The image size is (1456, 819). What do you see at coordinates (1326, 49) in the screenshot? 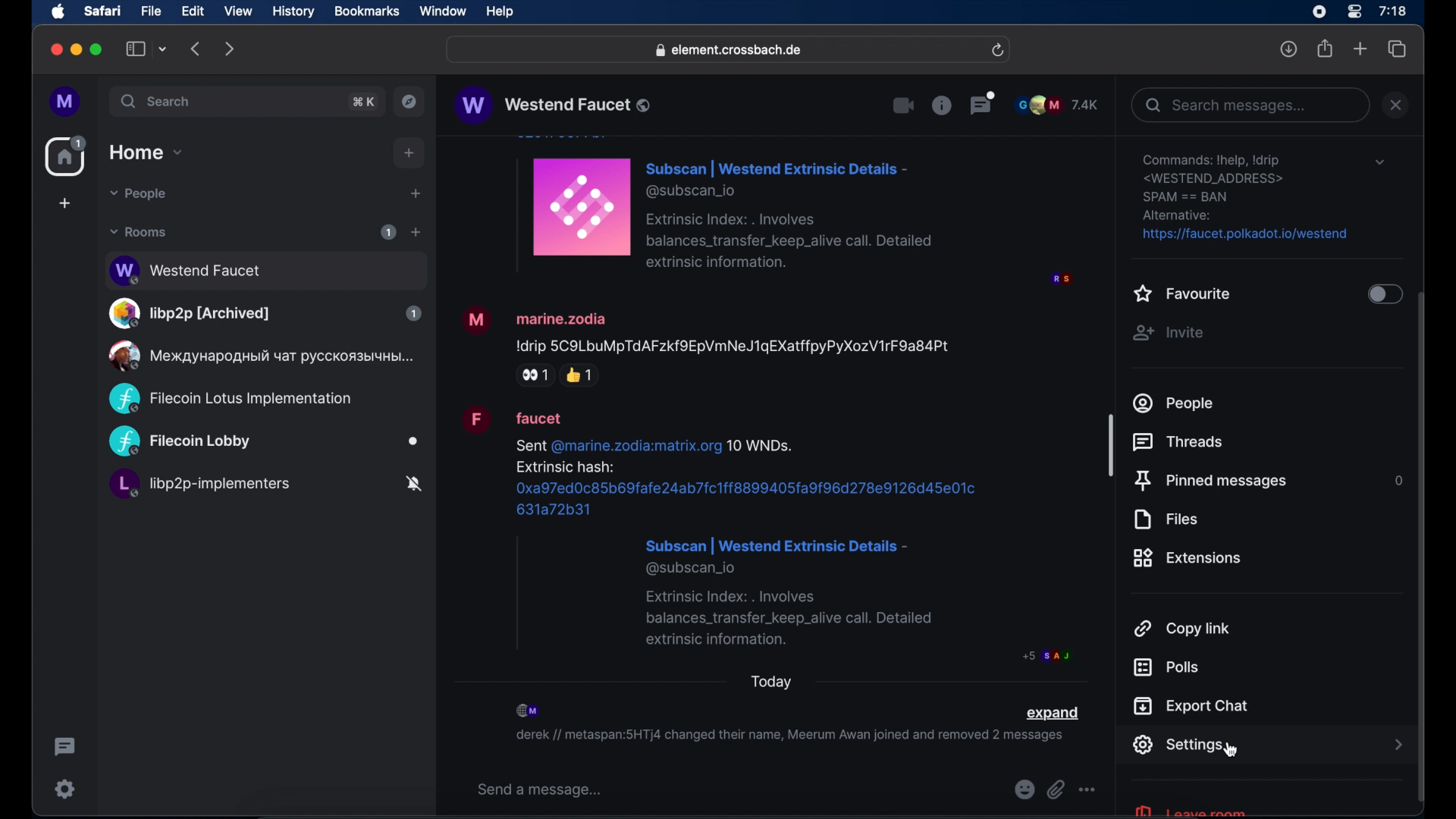
I see `share` at bounding box center [1326, 49].